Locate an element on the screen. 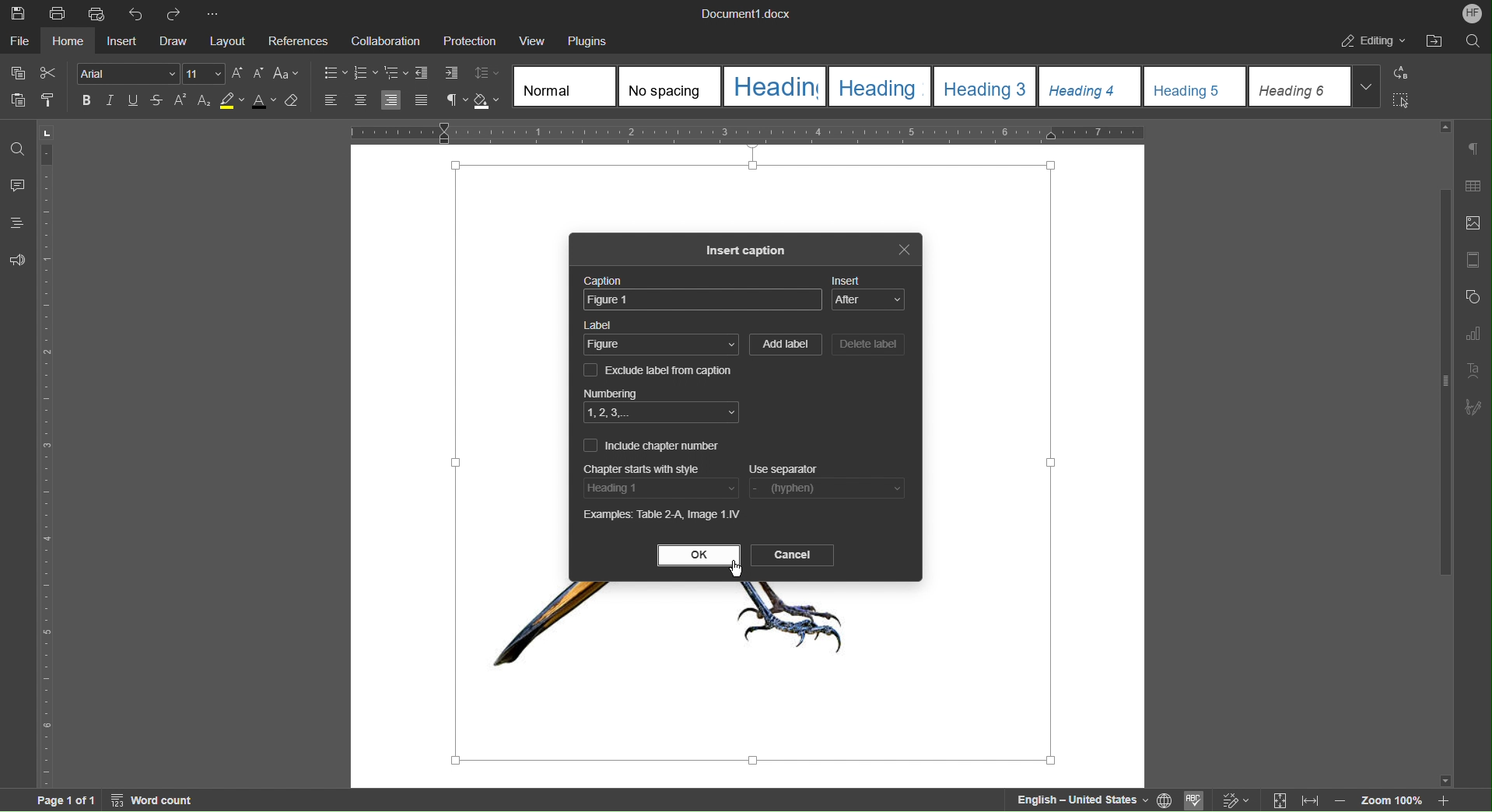  Font Case is located at coordinates (286, 73).